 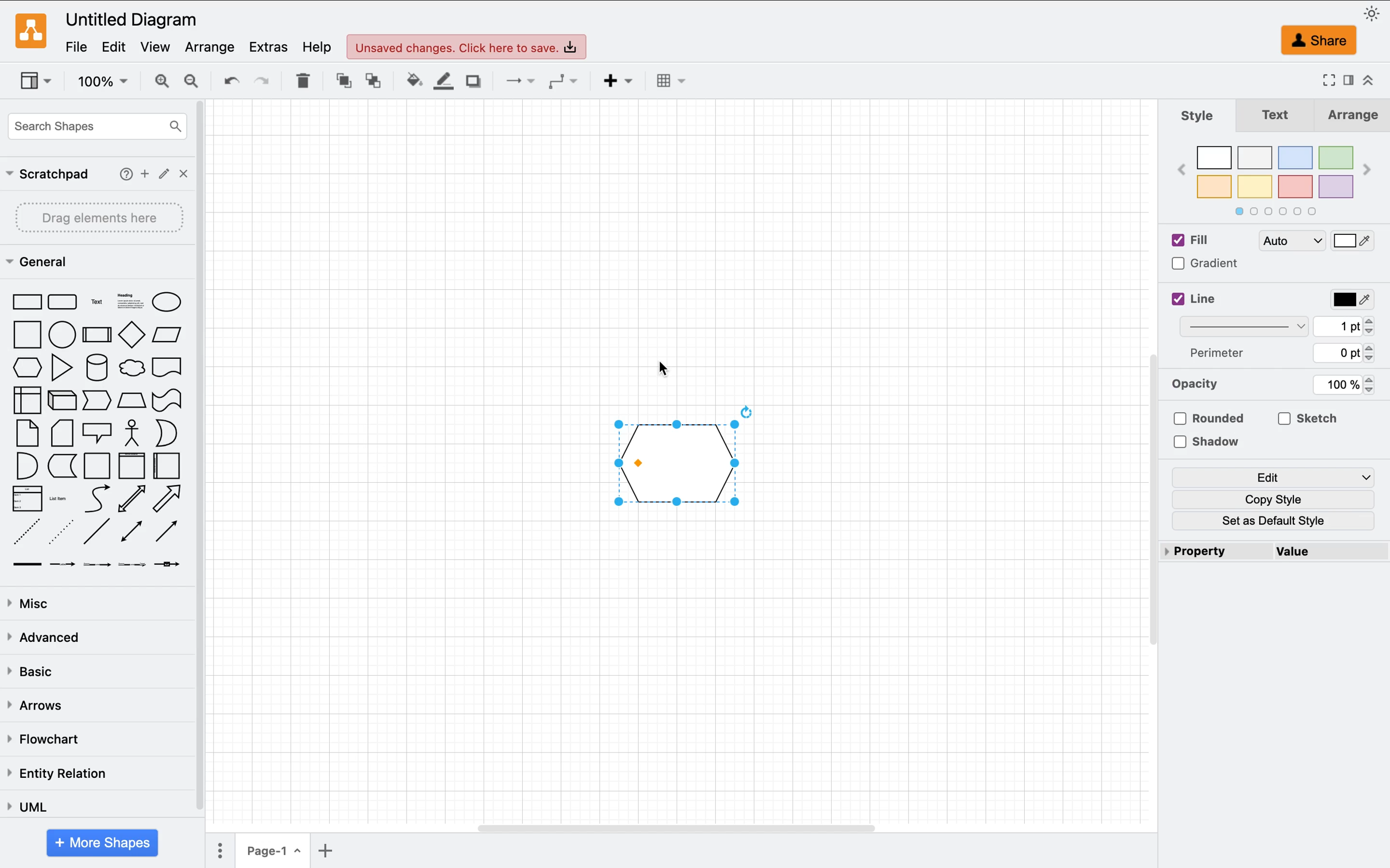 I want to click on Line Types, so click(x=1253, y=330).